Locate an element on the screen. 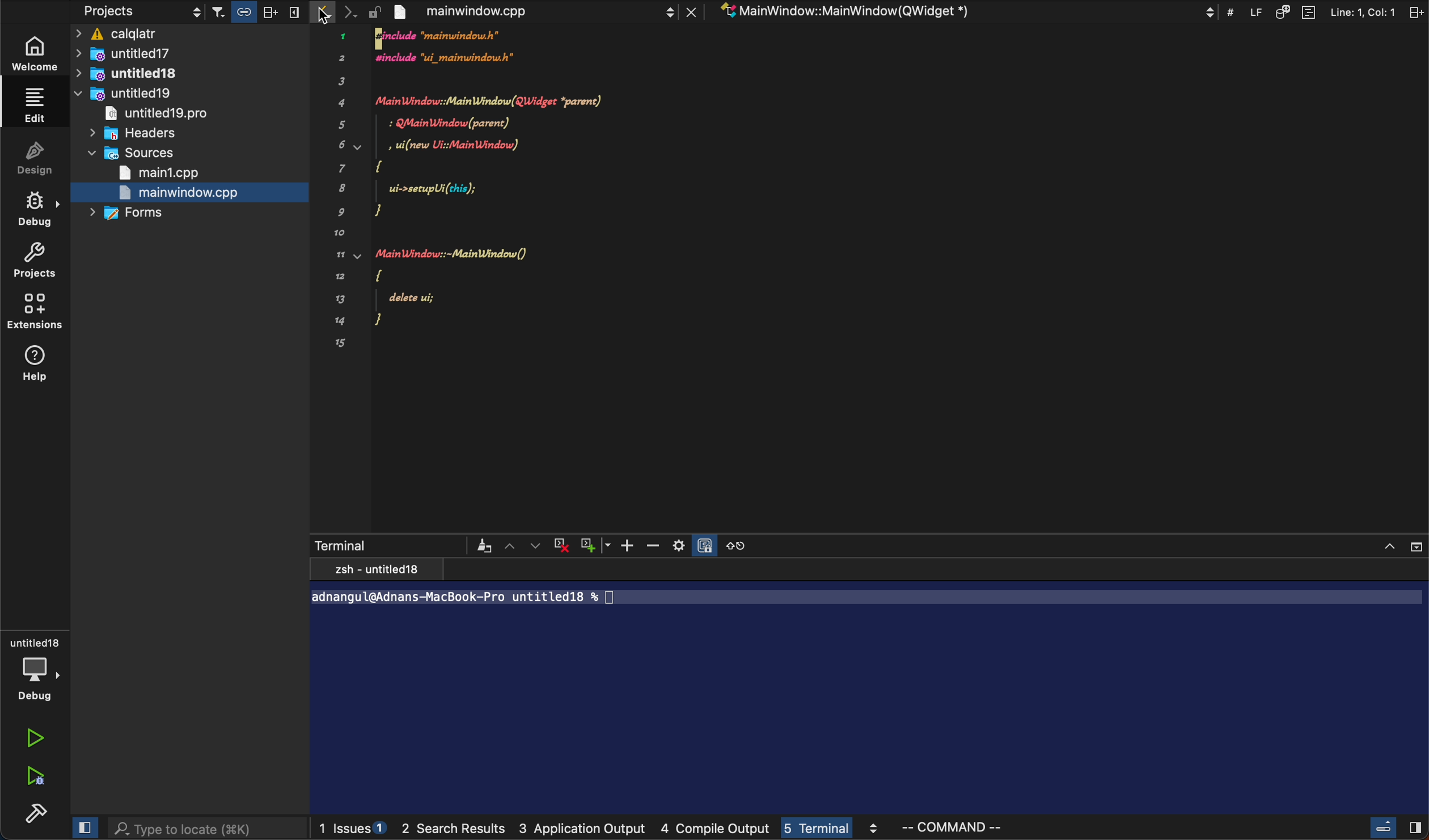 Image resolution: width=1429 pixels, height=840 pixels. calqlatr is located at coordinates (192, 35).